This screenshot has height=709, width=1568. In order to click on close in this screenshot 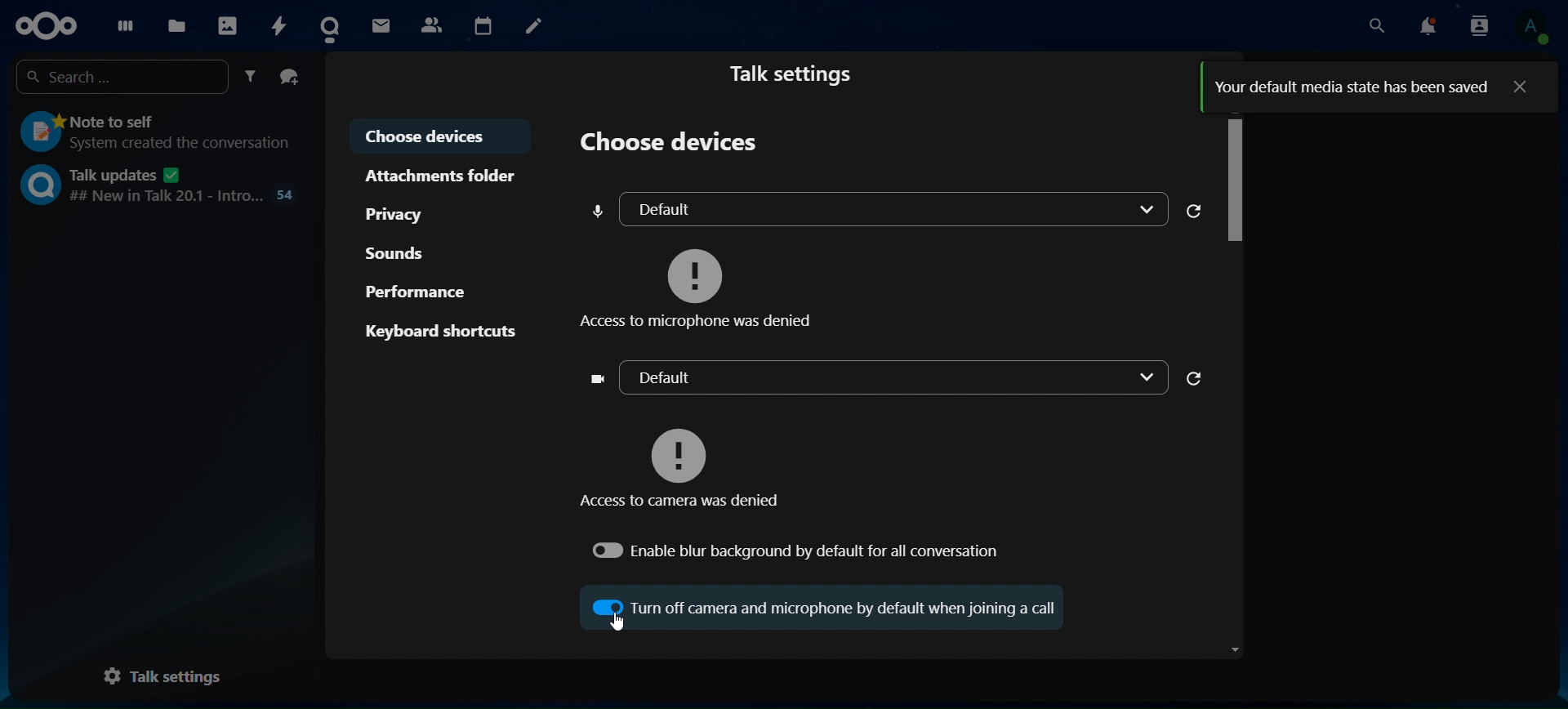, I will do `click(1522, 87)`.